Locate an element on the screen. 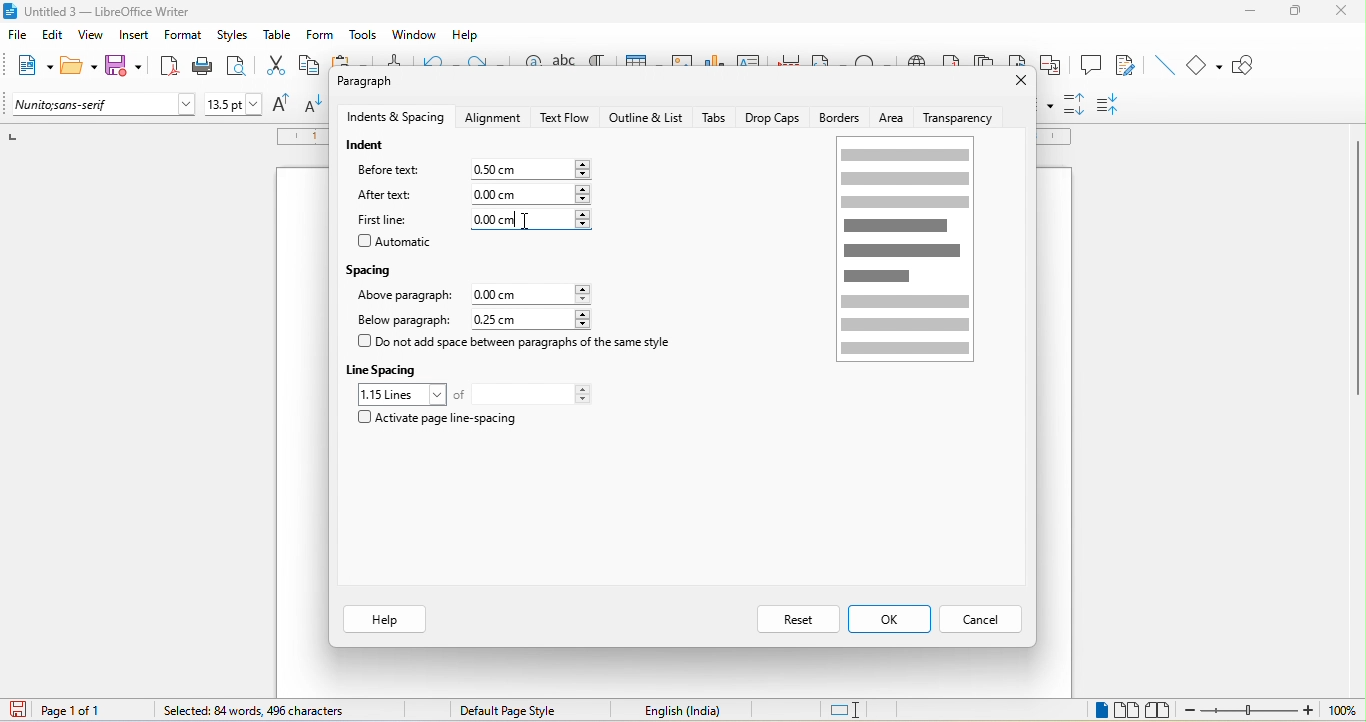 This screenshot has width=1366, height=722. zoom is located at coordinates (1250, 712).